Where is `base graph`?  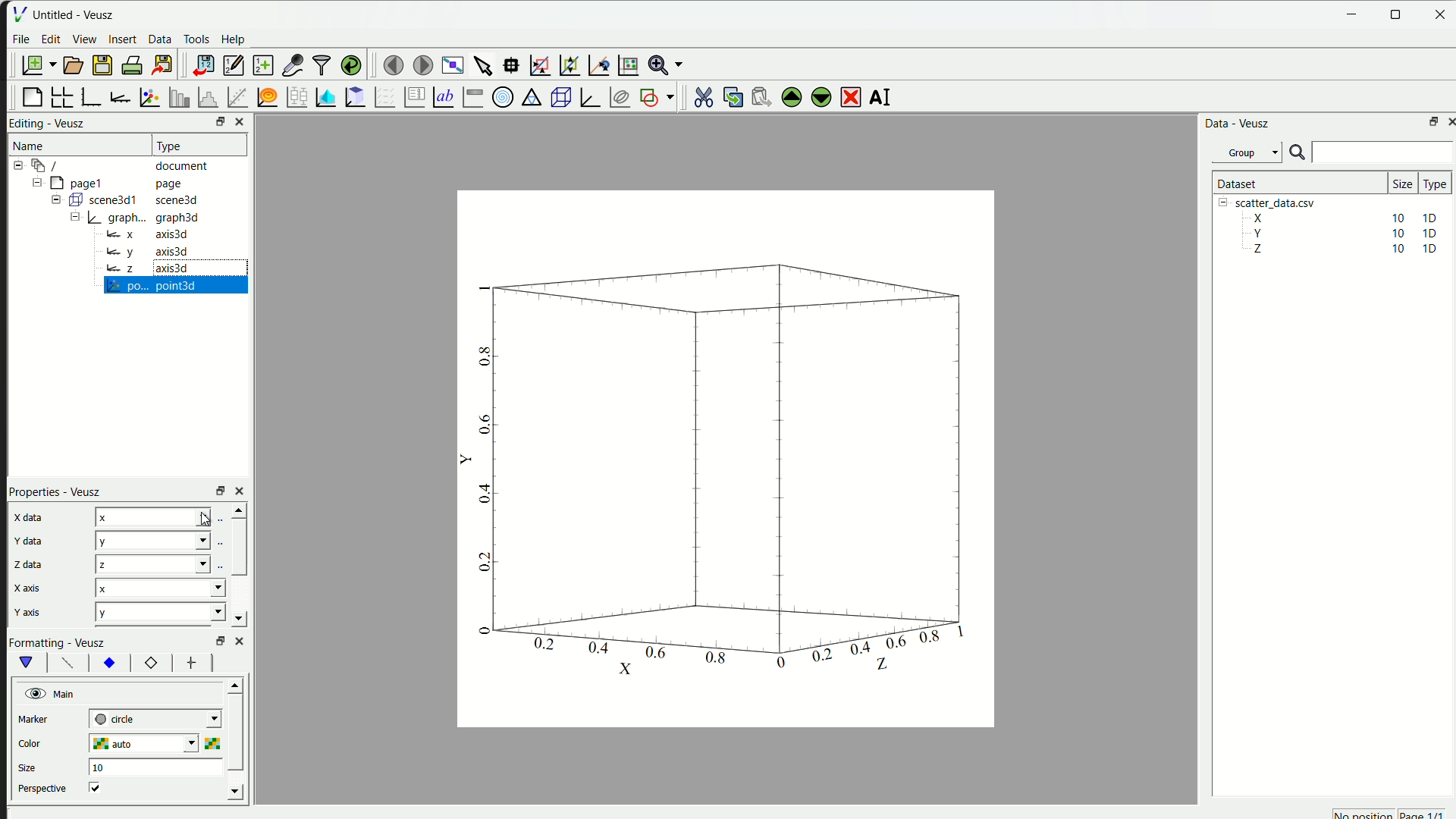
base graph is located at coordinates (91, 96).